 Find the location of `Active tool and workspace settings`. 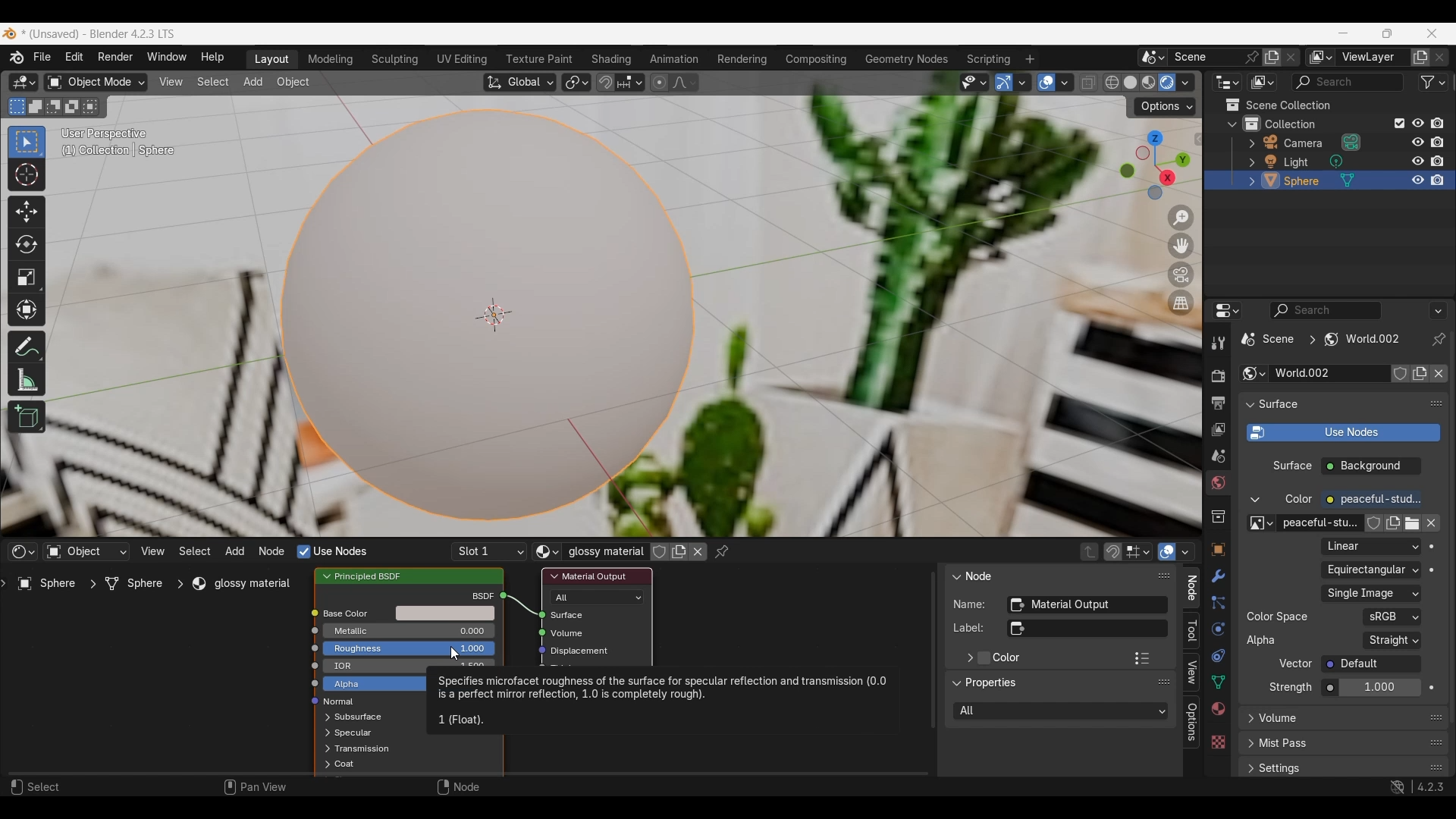

Active tool and workspace settings is located at coordinates (1216, 343).